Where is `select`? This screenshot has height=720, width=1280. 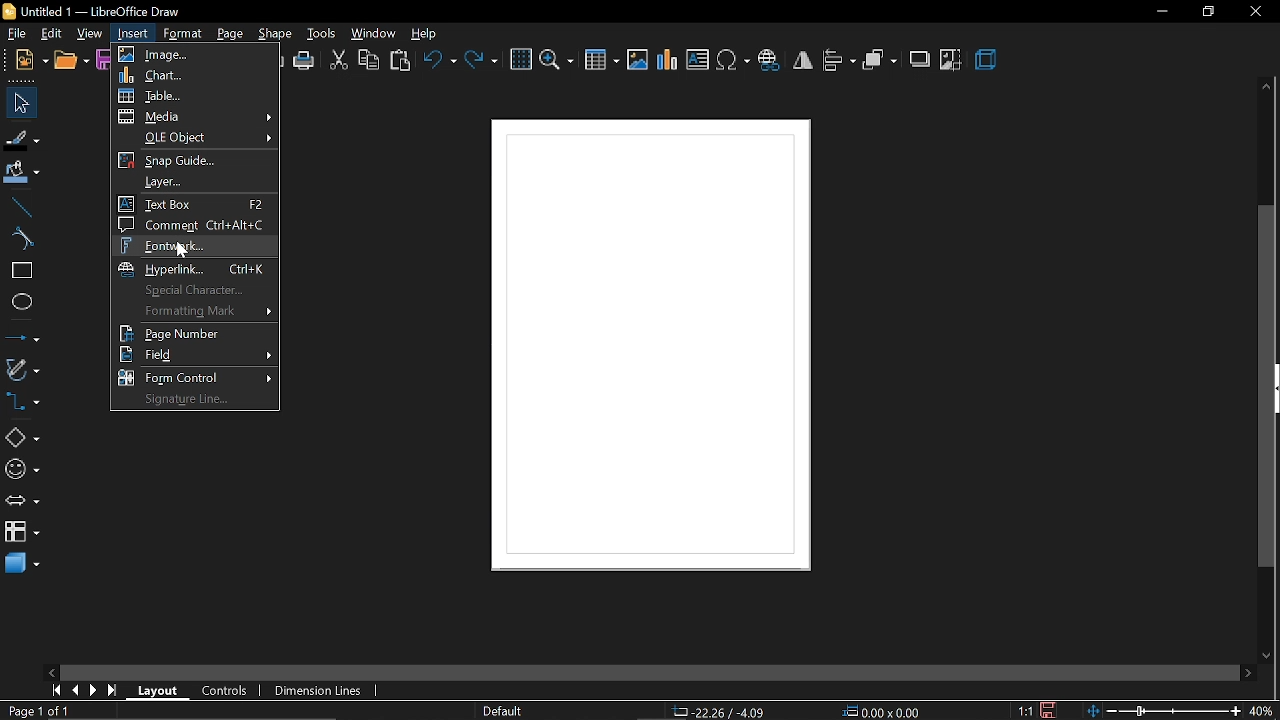
select is located at coordinates (18, 101).